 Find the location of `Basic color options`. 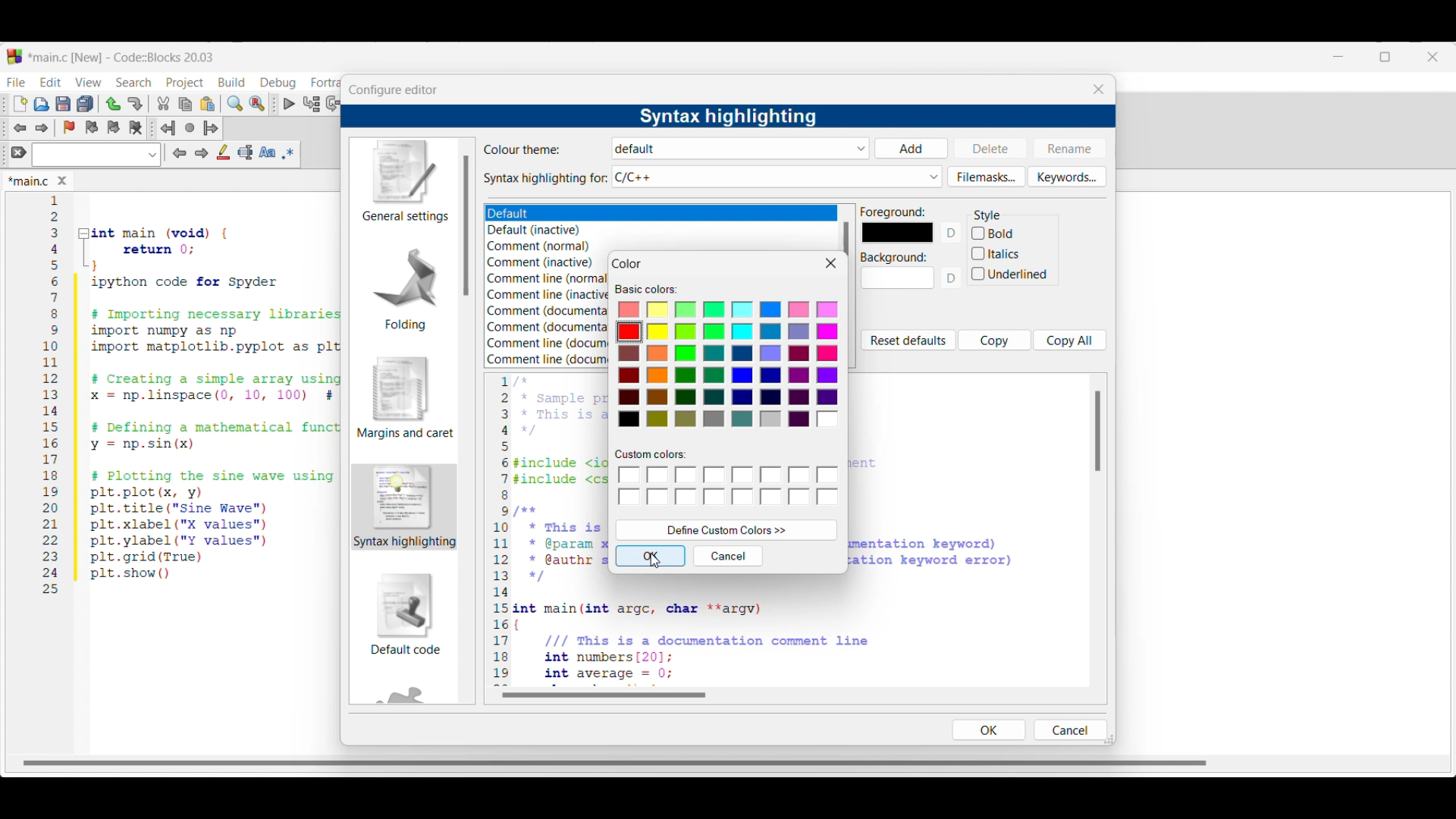

Basic color options is located at coordinates (729, 367).